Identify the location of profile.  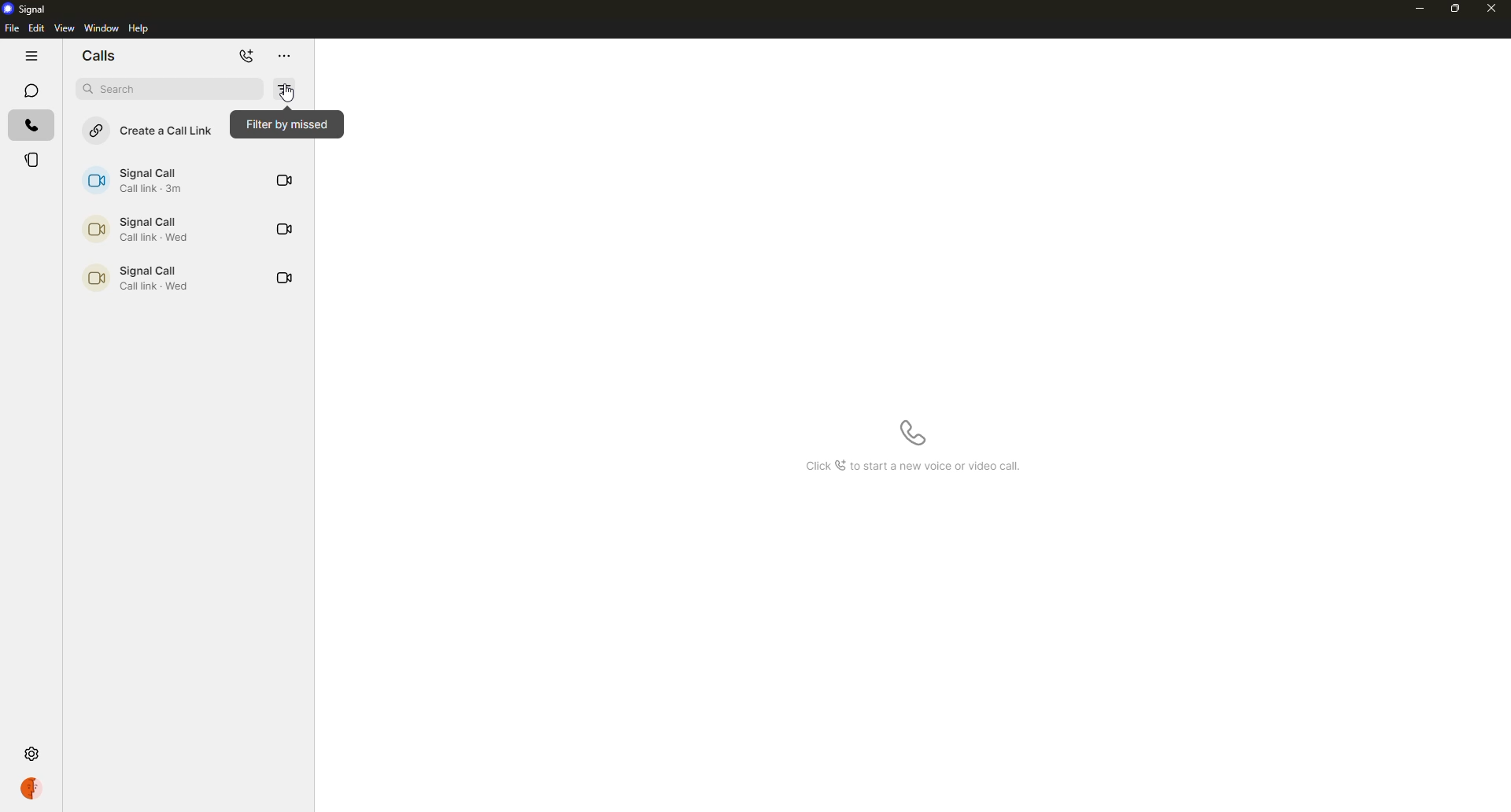
(30, 788).